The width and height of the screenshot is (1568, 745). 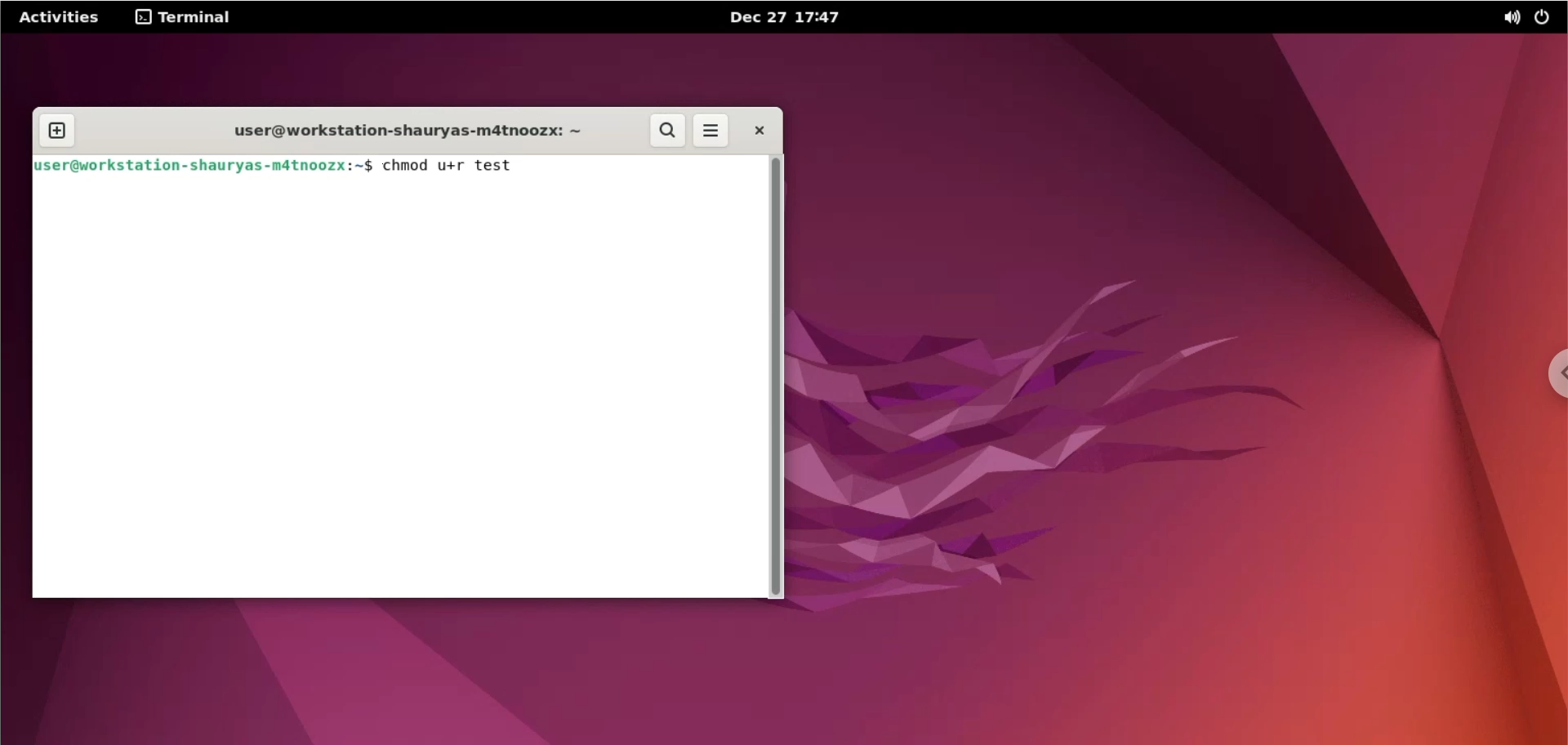 What do you see at coordinates (778, 377) in the screenshot?
I see `scrollbar` at bounding box center [778, 377].